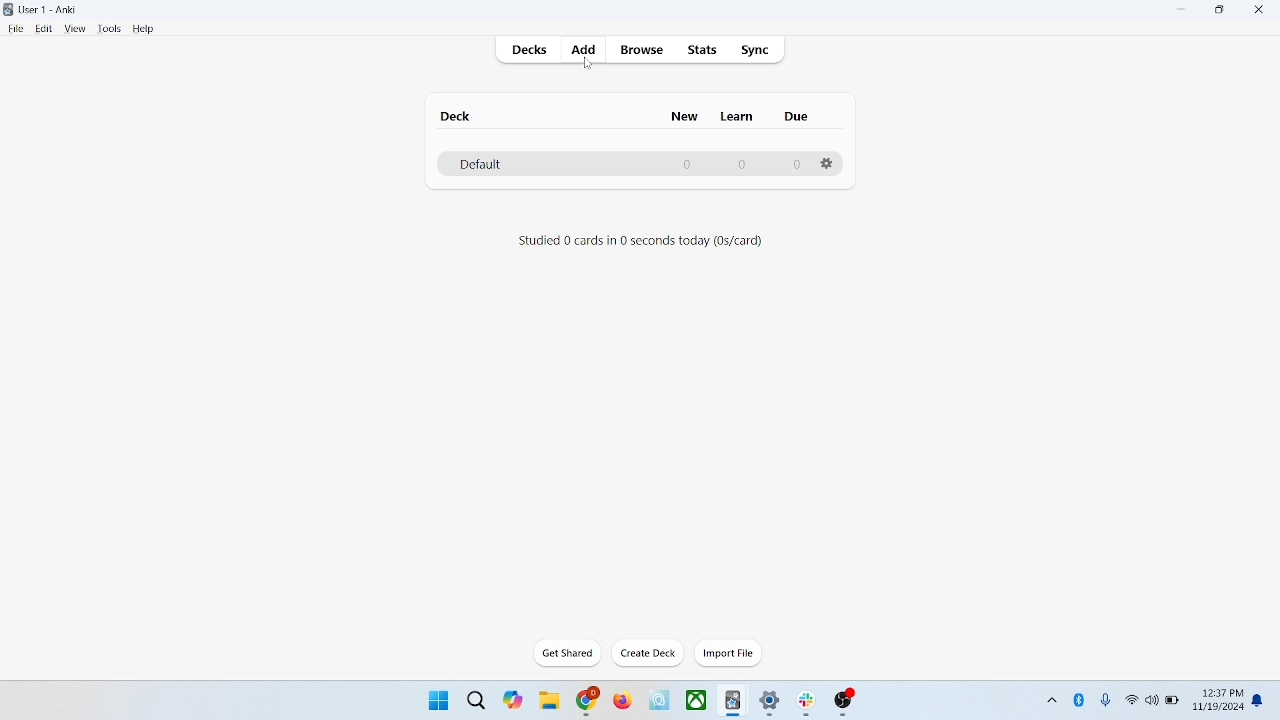 The height and width of the screenshot is (720, 1280). I want to click on Studied 0 cards in 0 seconds today (0s/card), so click(641, 242).